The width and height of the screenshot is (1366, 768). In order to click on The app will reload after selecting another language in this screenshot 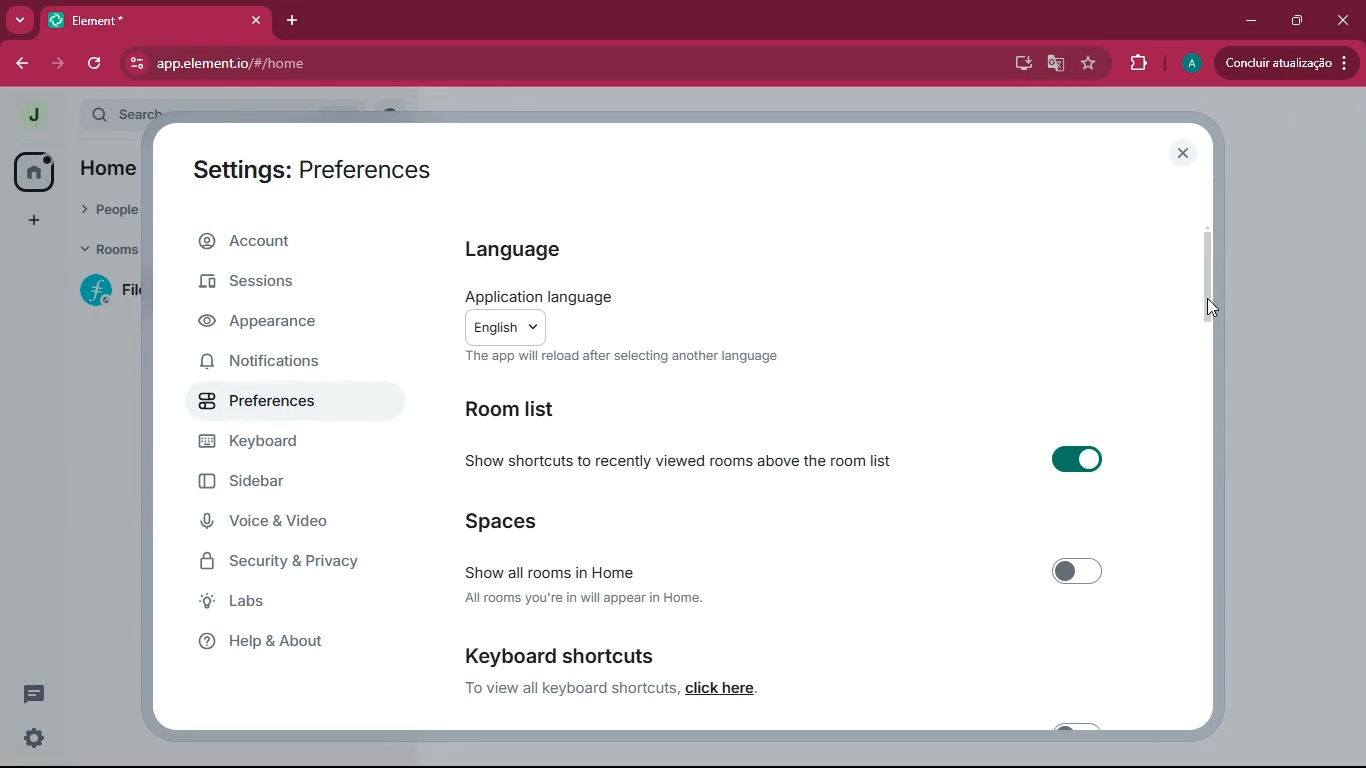, I will do `click(625, 357)`.